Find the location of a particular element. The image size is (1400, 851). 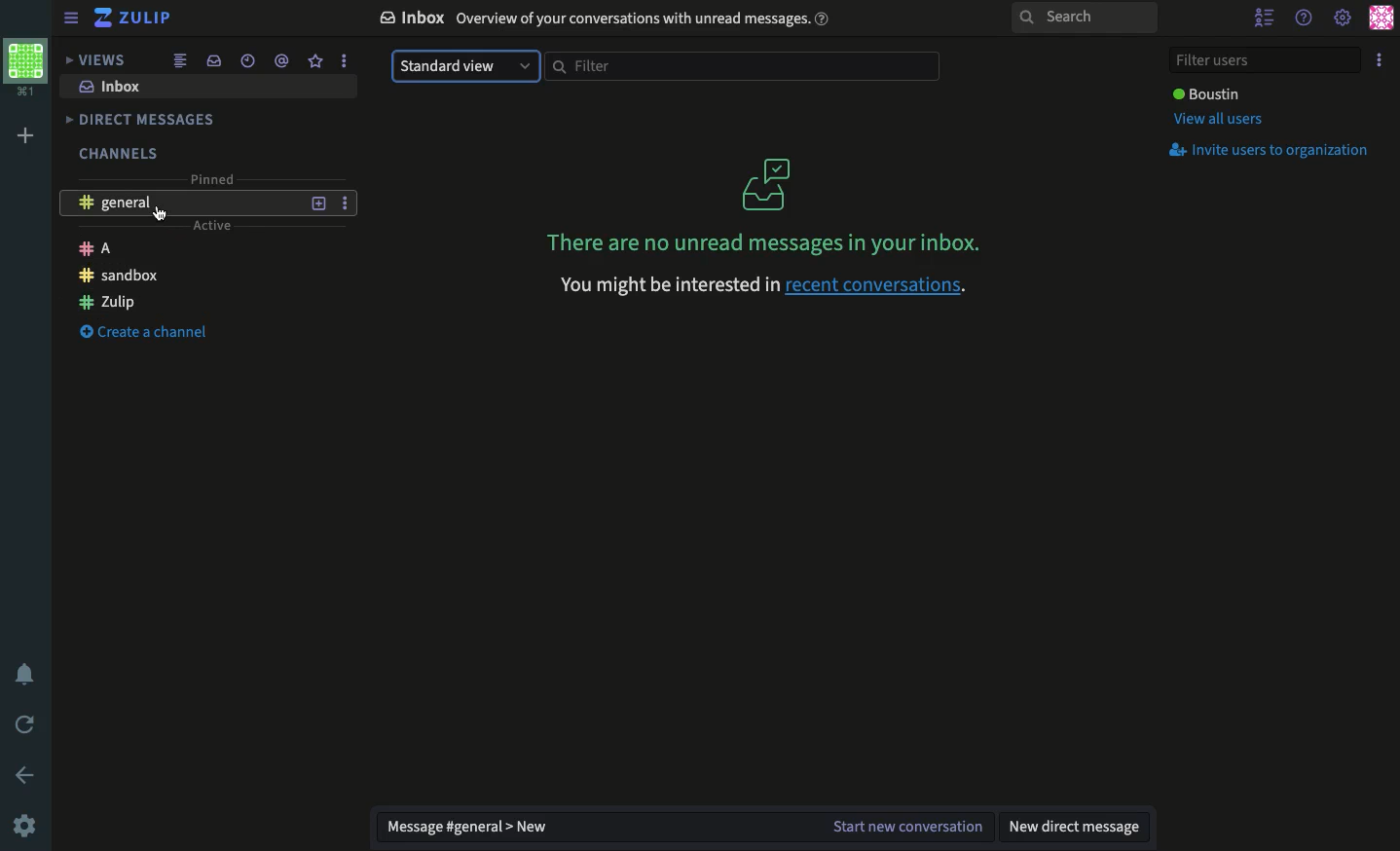

Add is located at coordinates (28, 133).